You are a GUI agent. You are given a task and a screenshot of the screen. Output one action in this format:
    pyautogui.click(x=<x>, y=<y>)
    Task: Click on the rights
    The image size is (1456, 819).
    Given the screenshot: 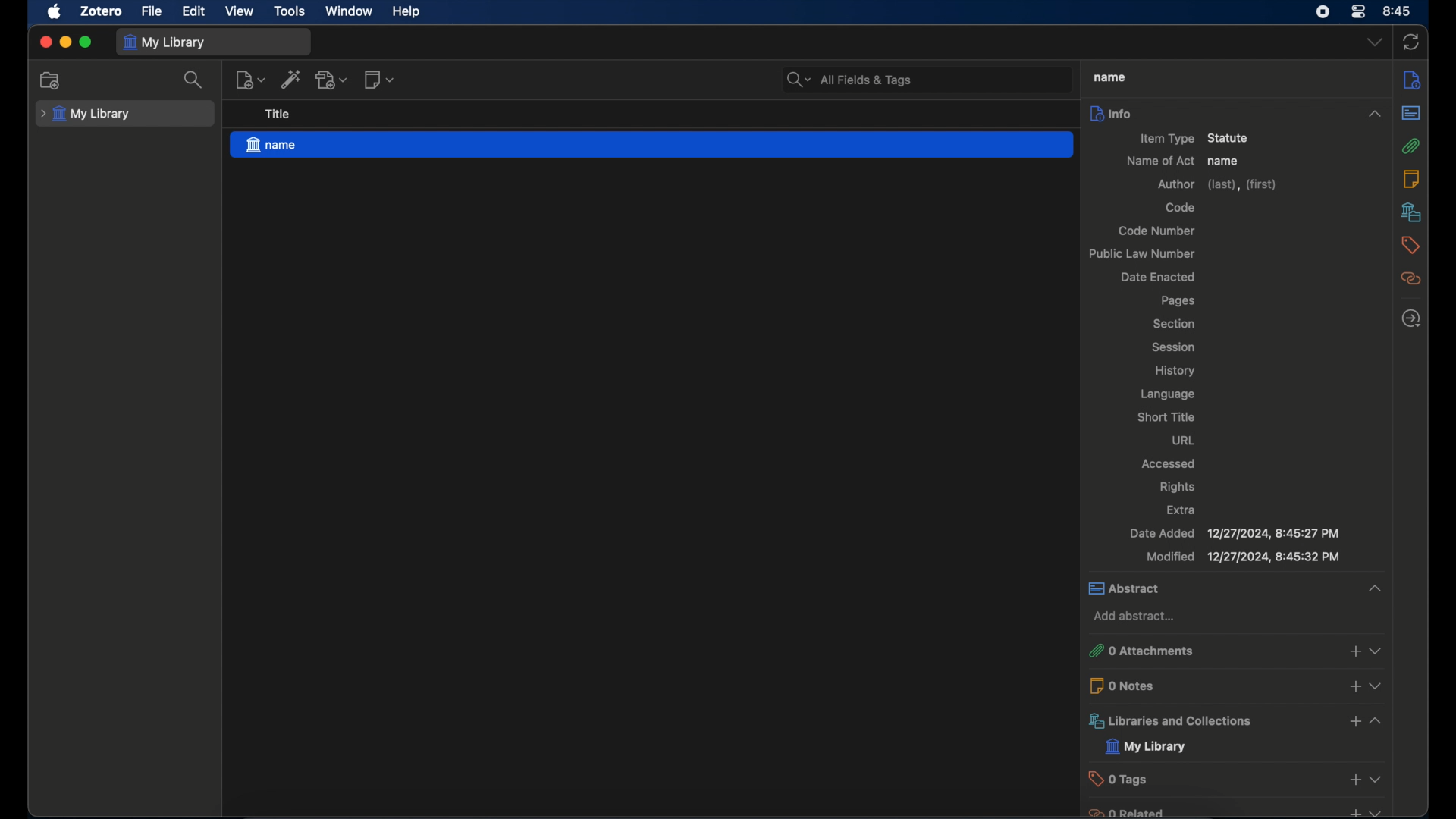 What is the action you would take?
    pyautogui.click(x=1177, y=488)
    